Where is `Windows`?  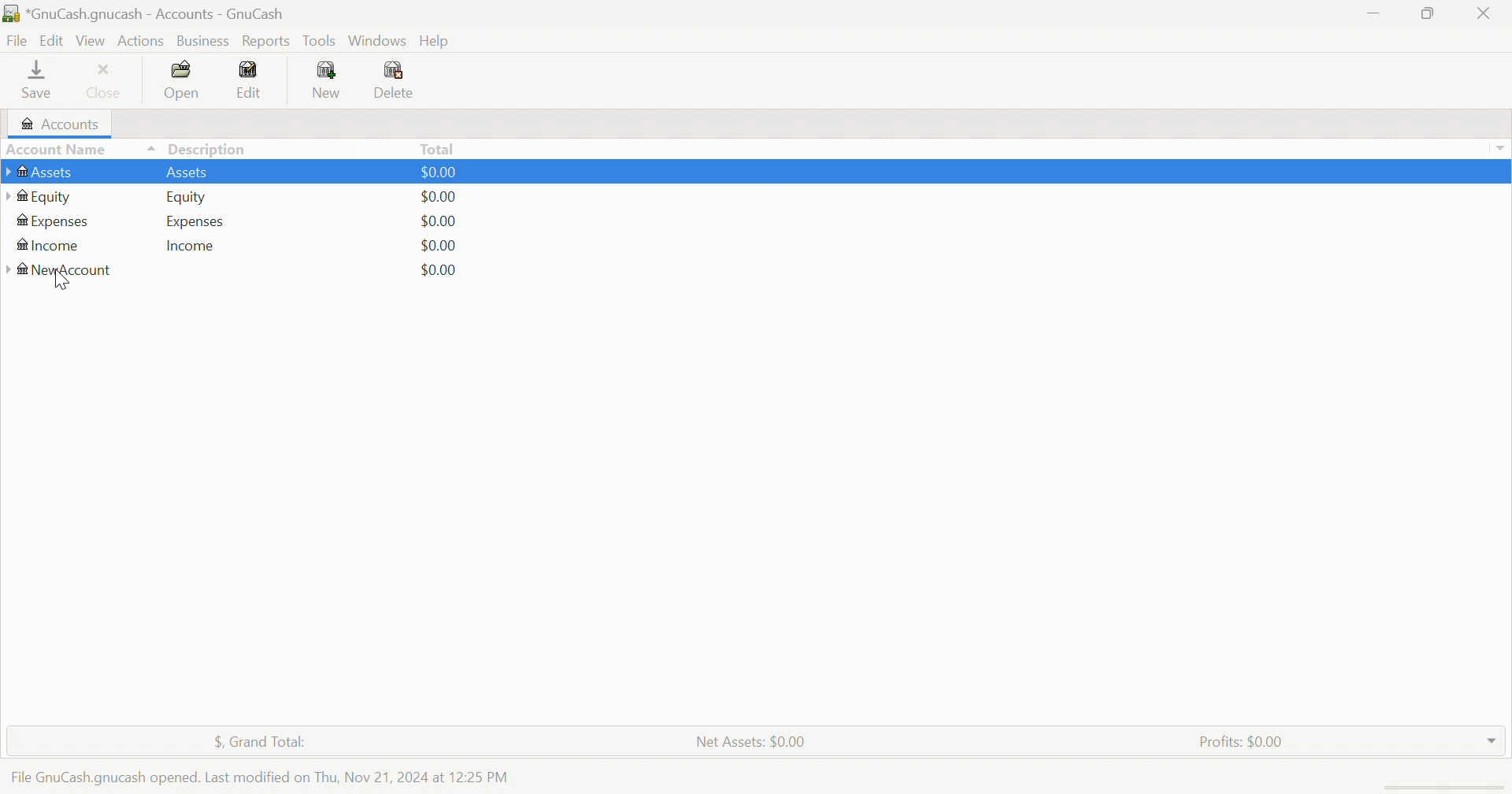 Windows is located at coordinates (377, 41).